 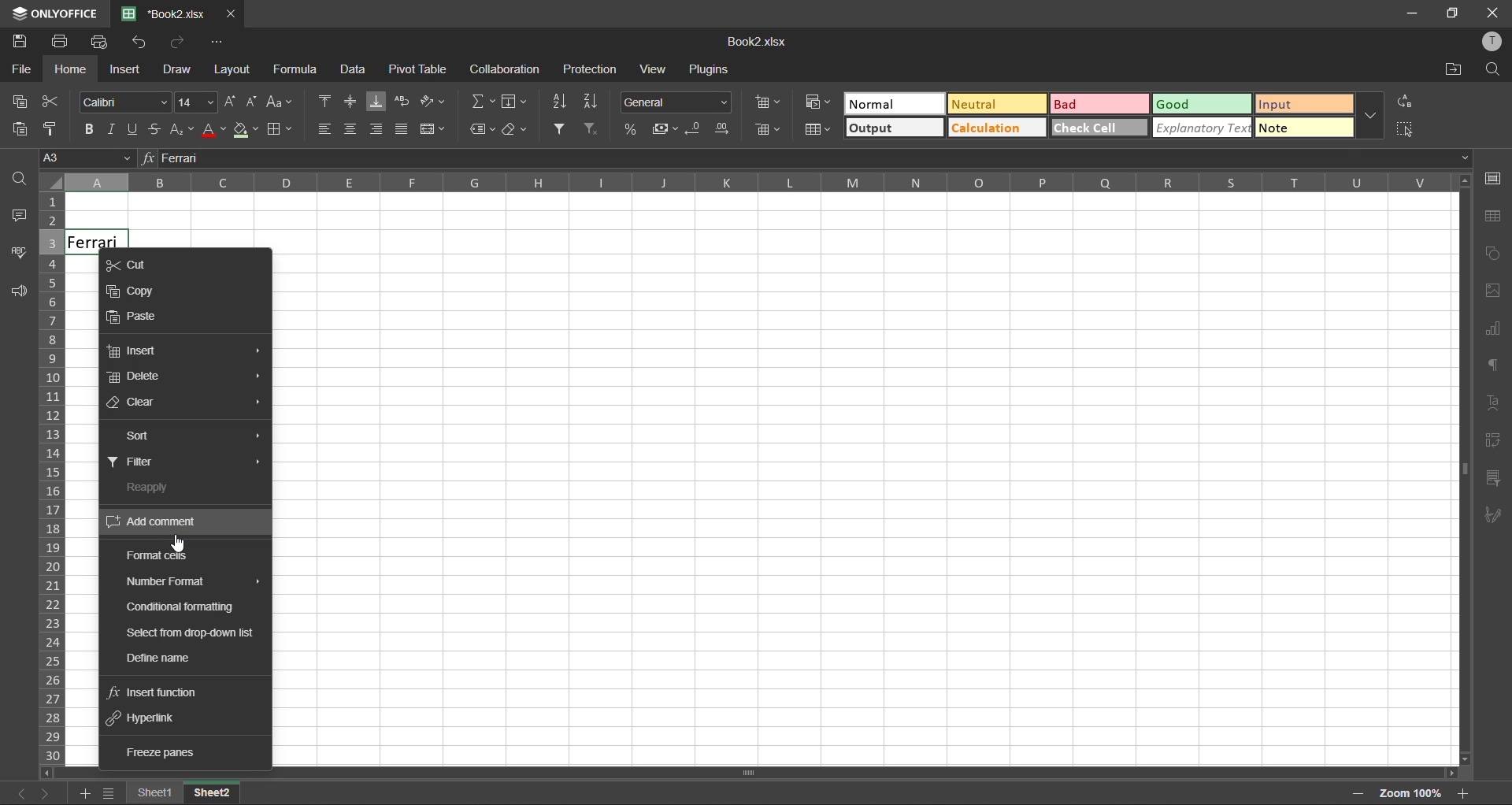 I want to click on formula bar, so click(x=804, y=158).